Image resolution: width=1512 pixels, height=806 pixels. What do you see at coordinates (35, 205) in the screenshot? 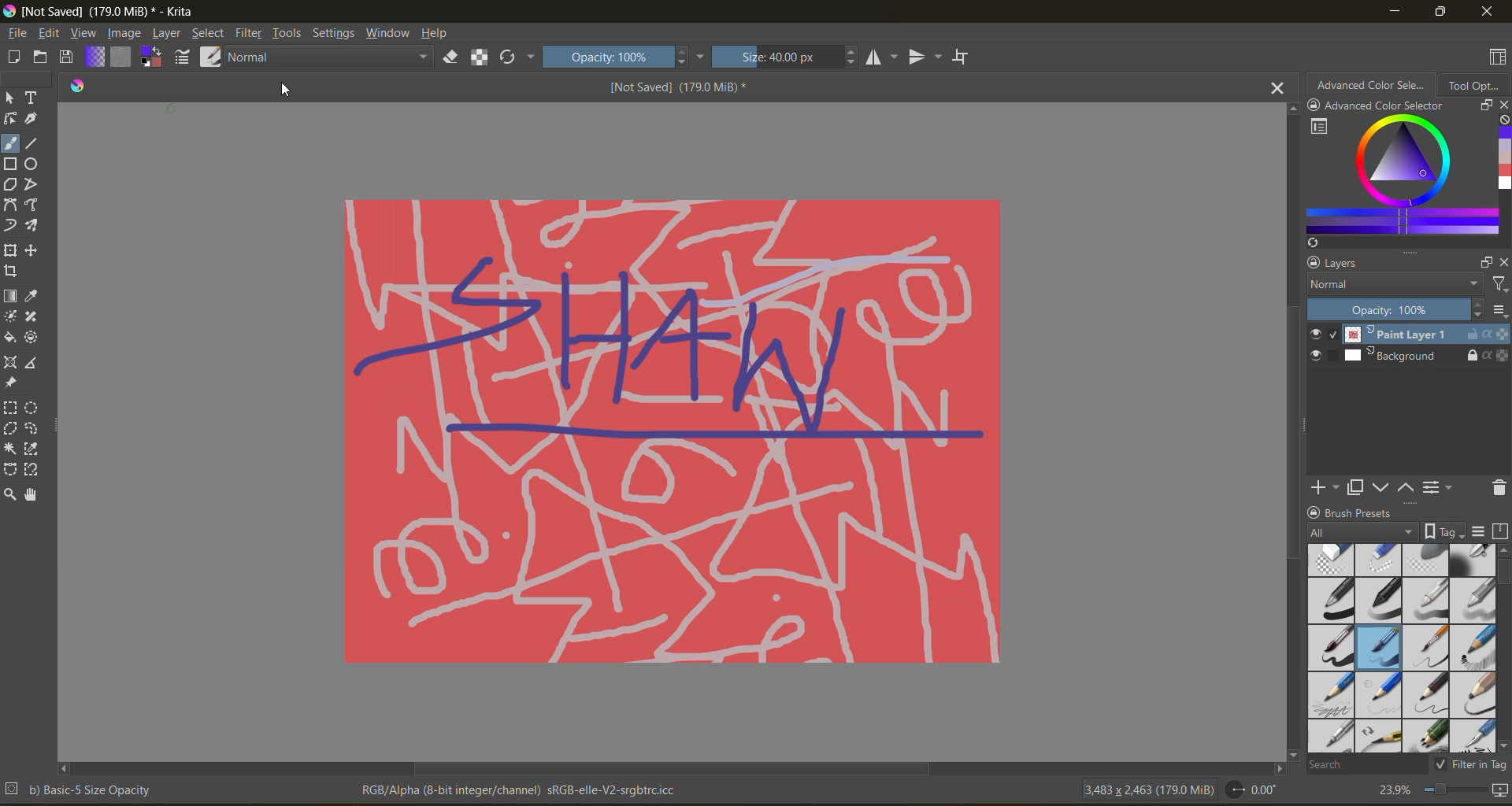
I see `freehand path tool` at bounding box center [35, 205].